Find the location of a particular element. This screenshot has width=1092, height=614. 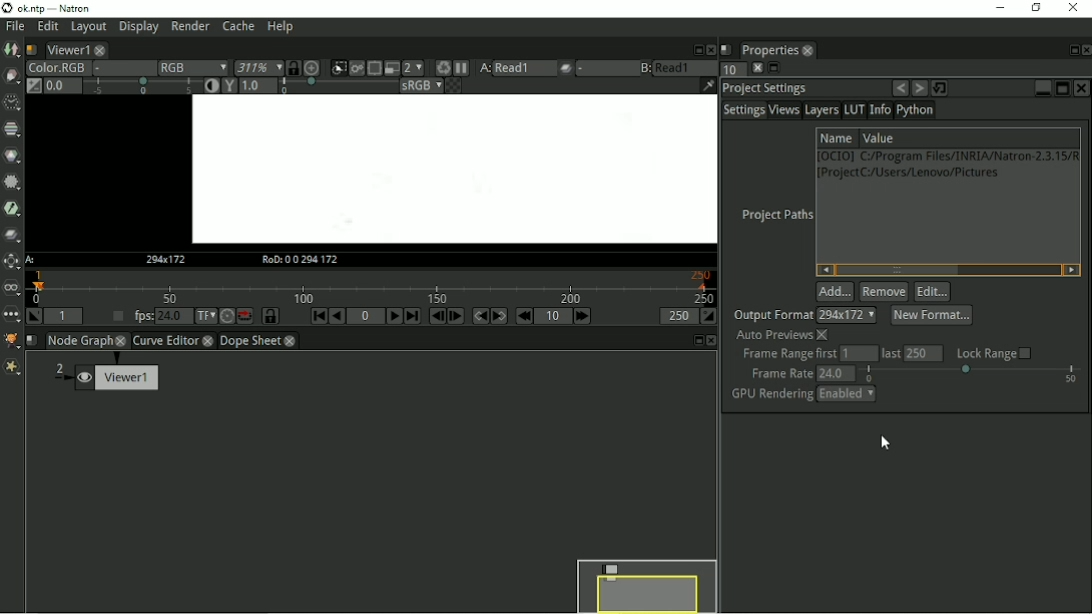

close is located at coordinates (809, 52).